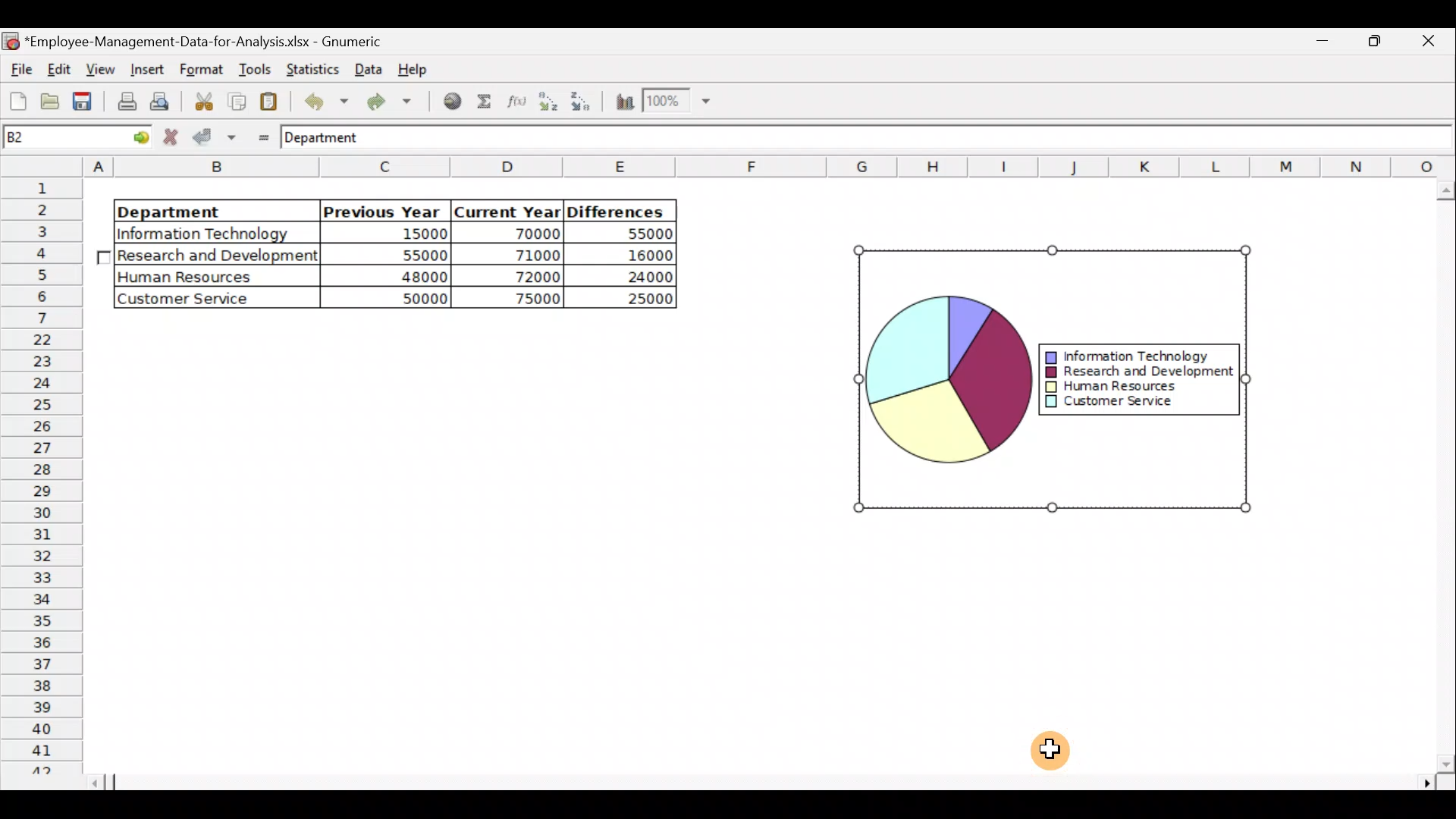  I want to click on Human Resources, so click(1116, 387).